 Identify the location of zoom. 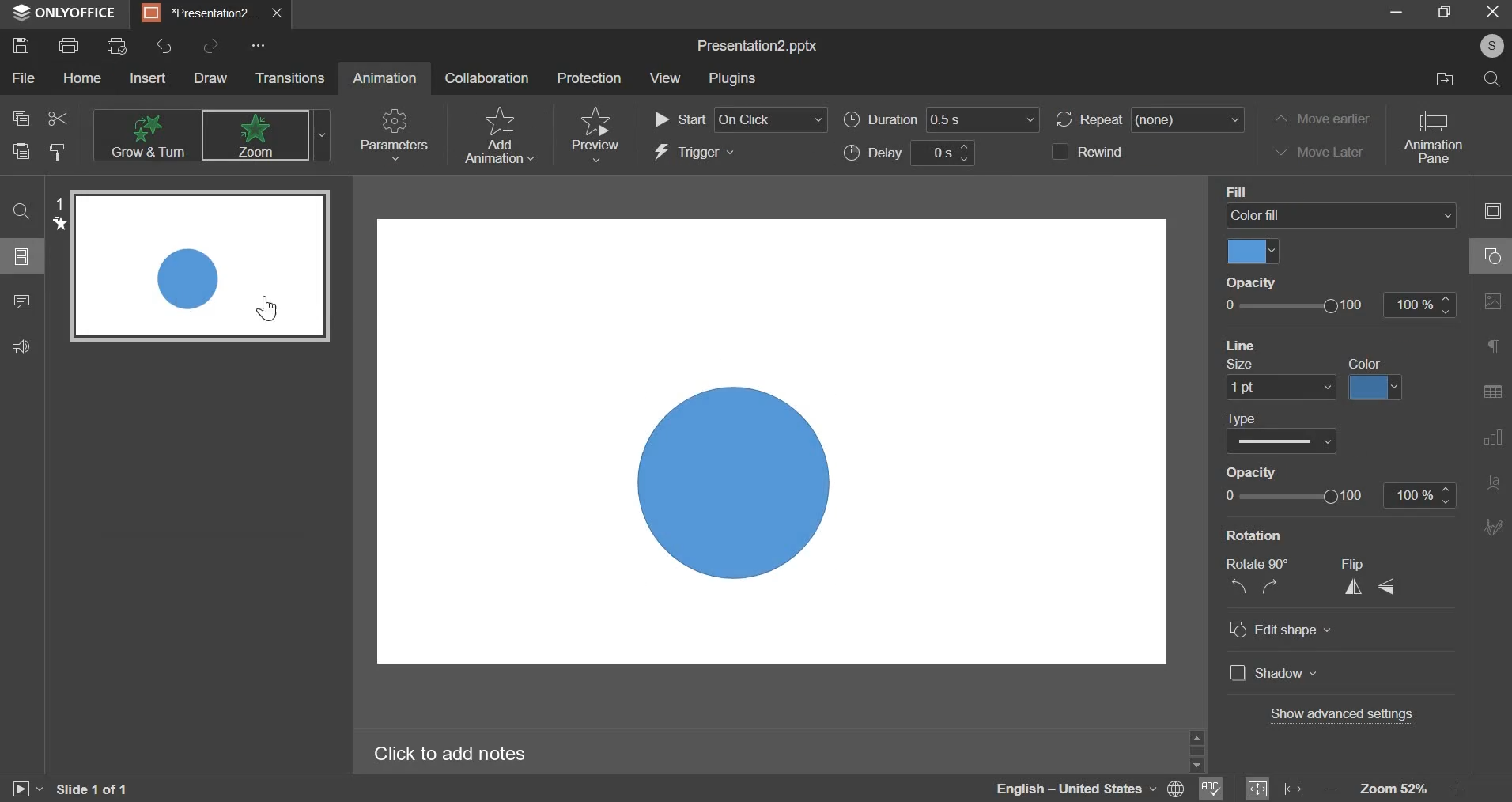
(1392, 789).